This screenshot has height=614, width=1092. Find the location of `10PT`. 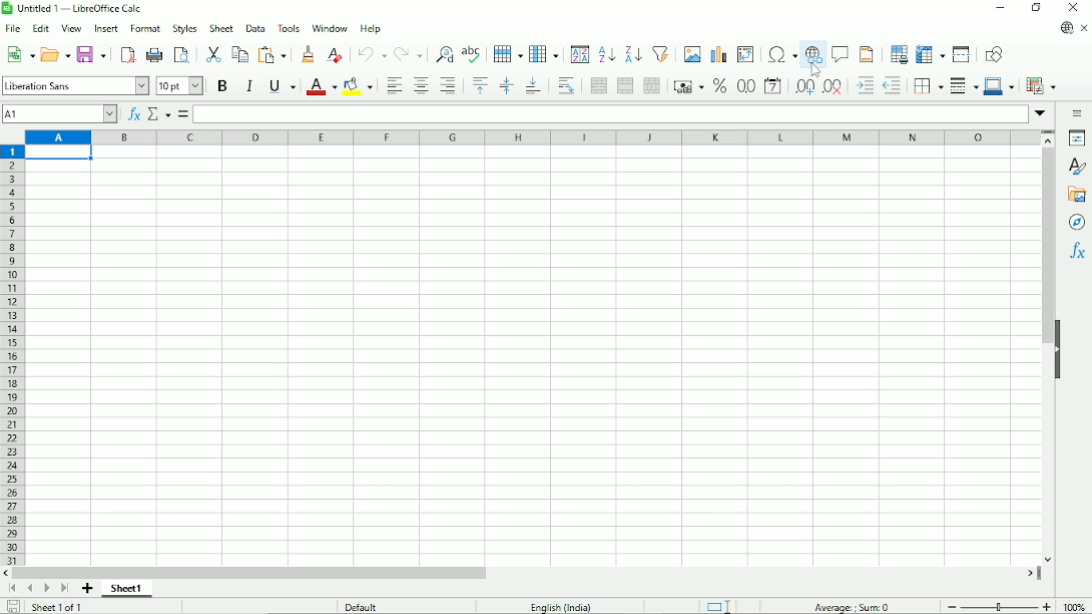

10PT is located at coordinates (180, 85).